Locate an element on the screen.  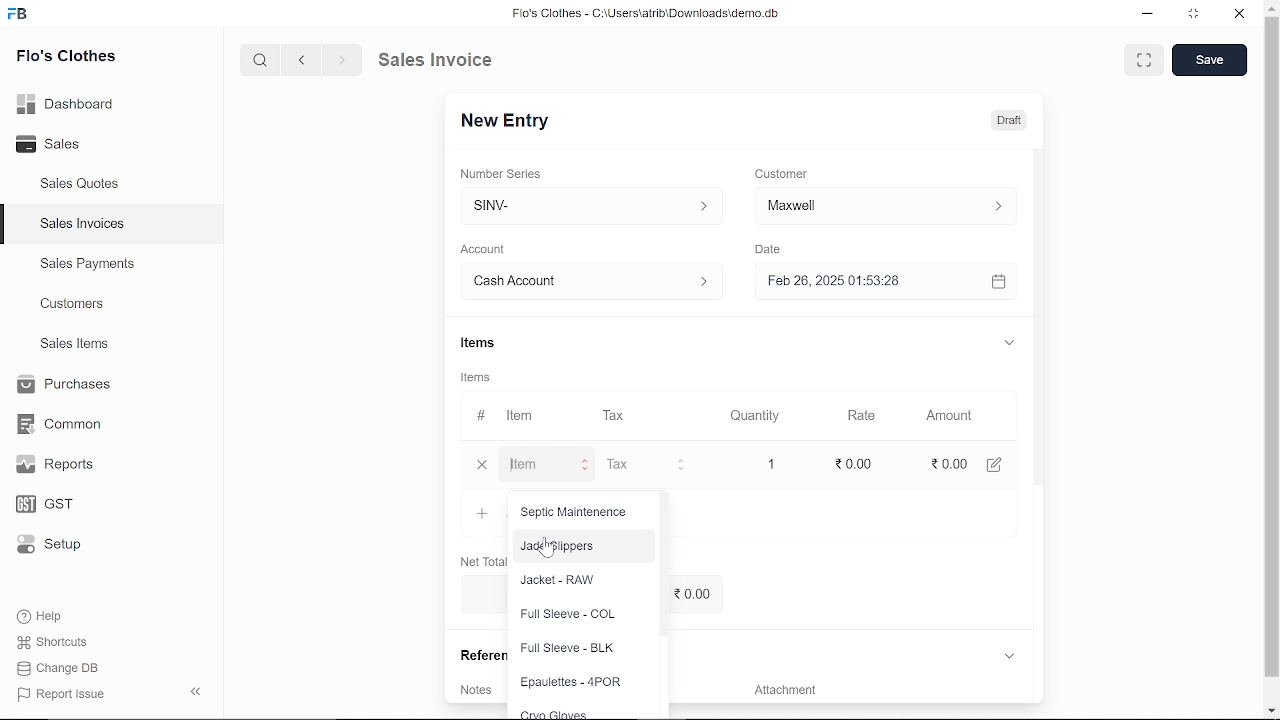
 is located at coordinates (487, 379).